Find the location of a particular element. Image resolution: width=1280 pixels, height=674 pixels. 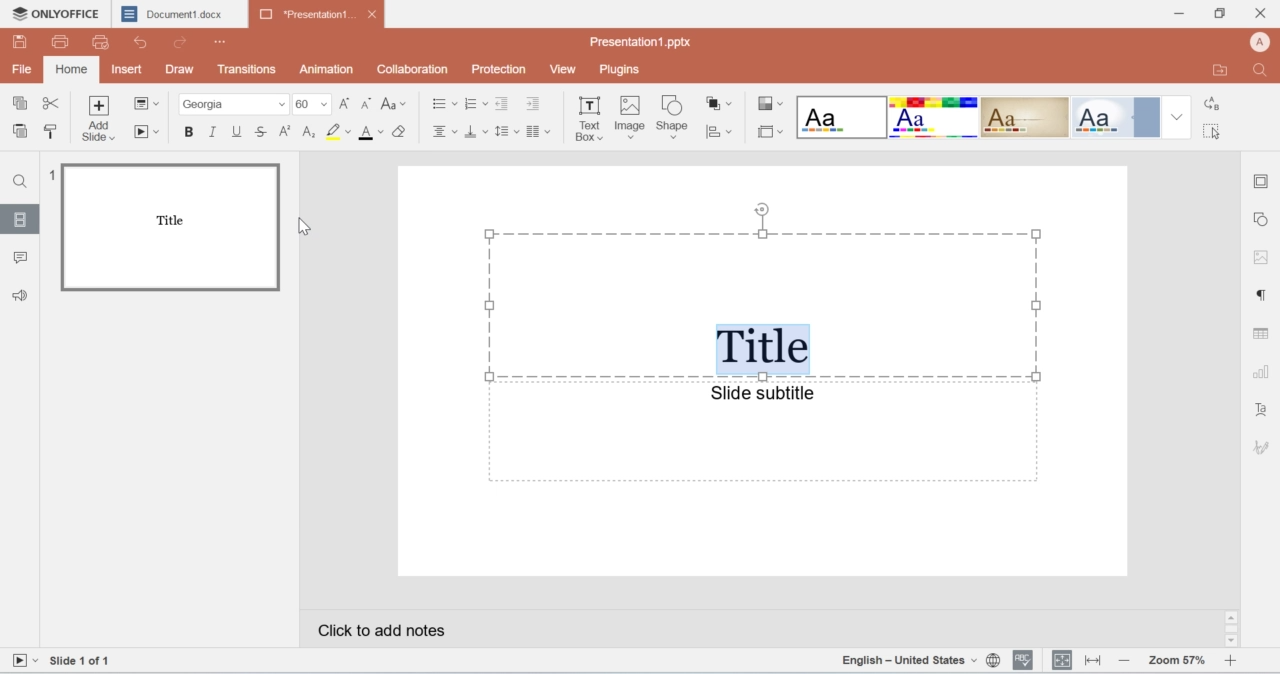

save is located at coordinates (21, 41).